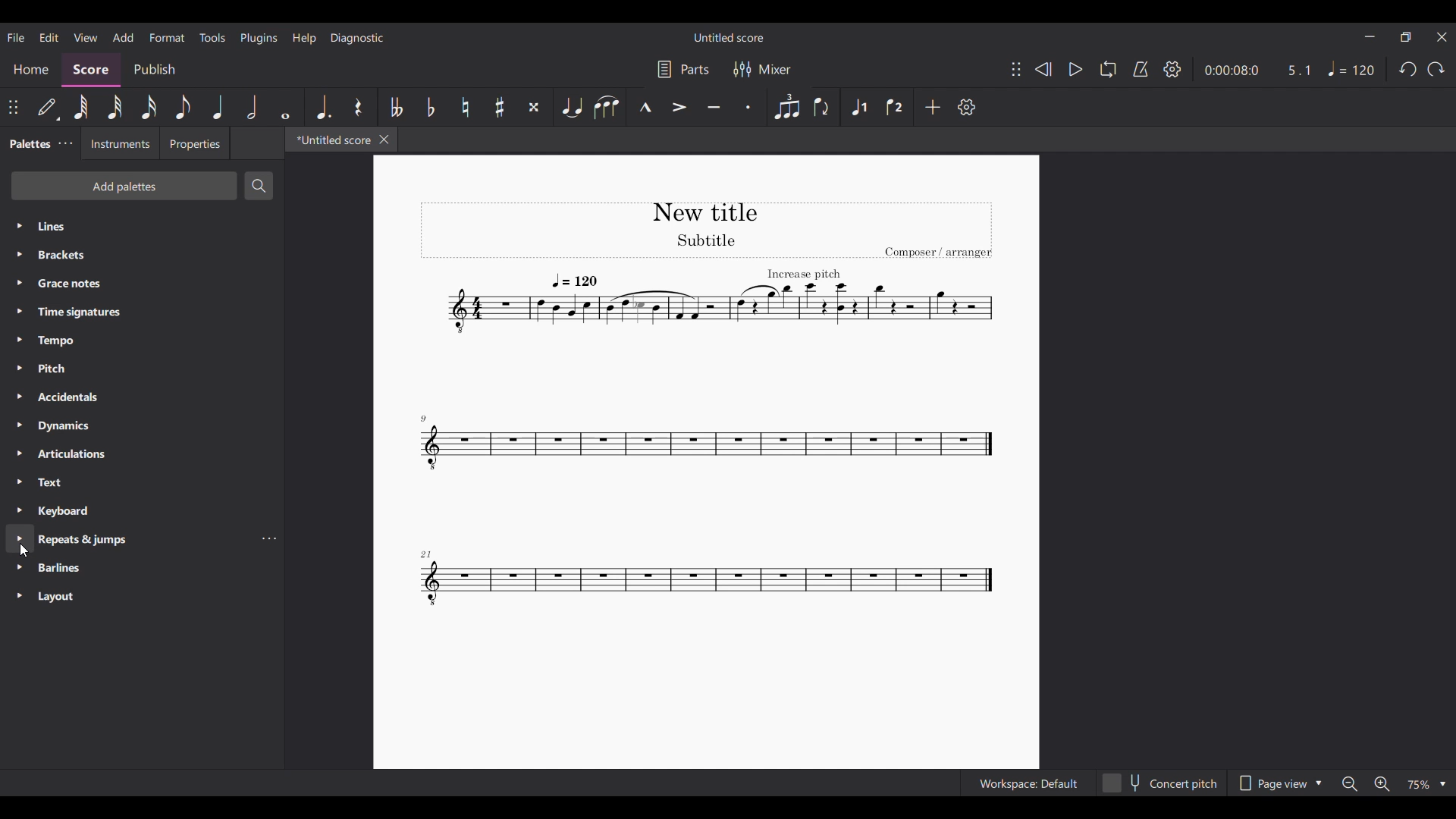  What do you see at coordinates (1279, 783) in the screenshot?
I see `Page view options` at bounding box center [1279, 783].